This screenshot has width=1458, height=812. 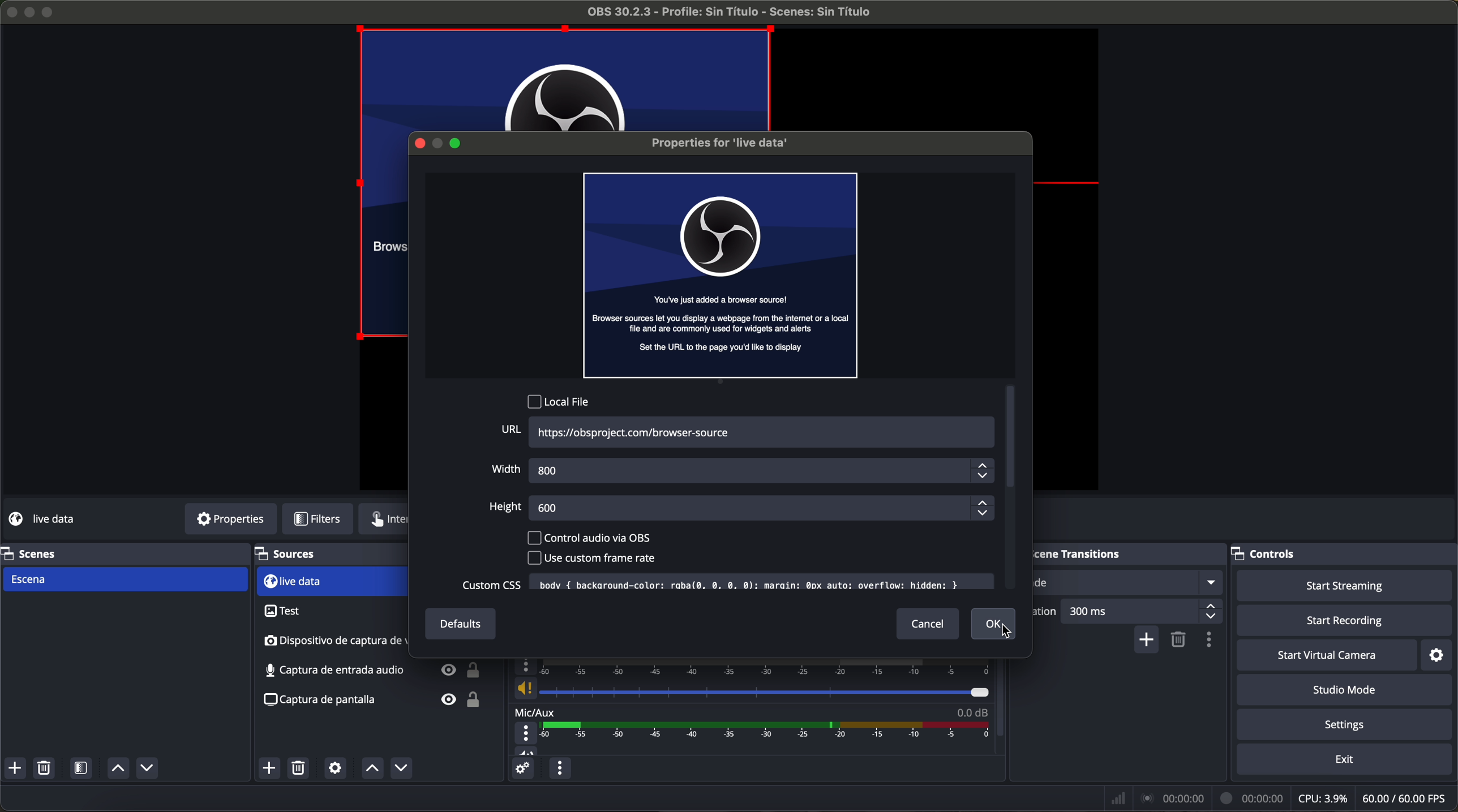 I want to click on fade, so click(x=1126, y=583).